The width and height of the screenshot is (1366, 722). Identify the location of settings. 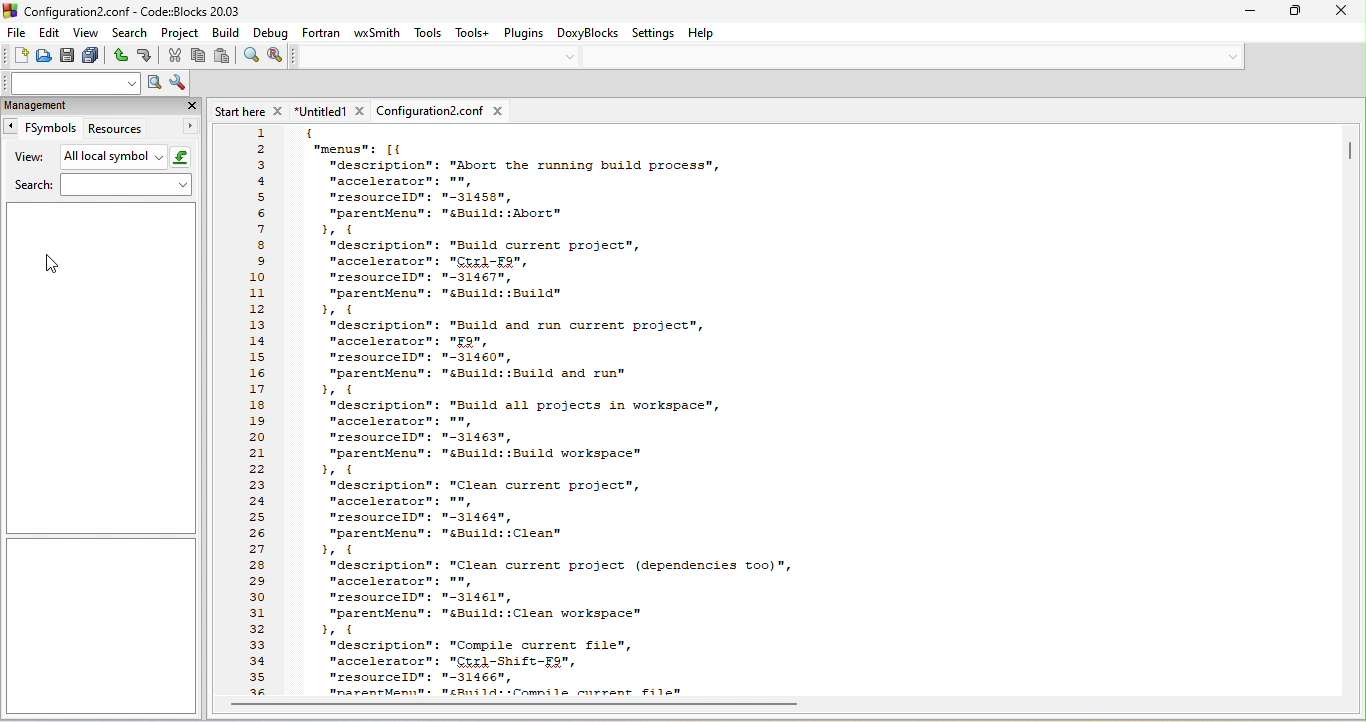
(653, 32).